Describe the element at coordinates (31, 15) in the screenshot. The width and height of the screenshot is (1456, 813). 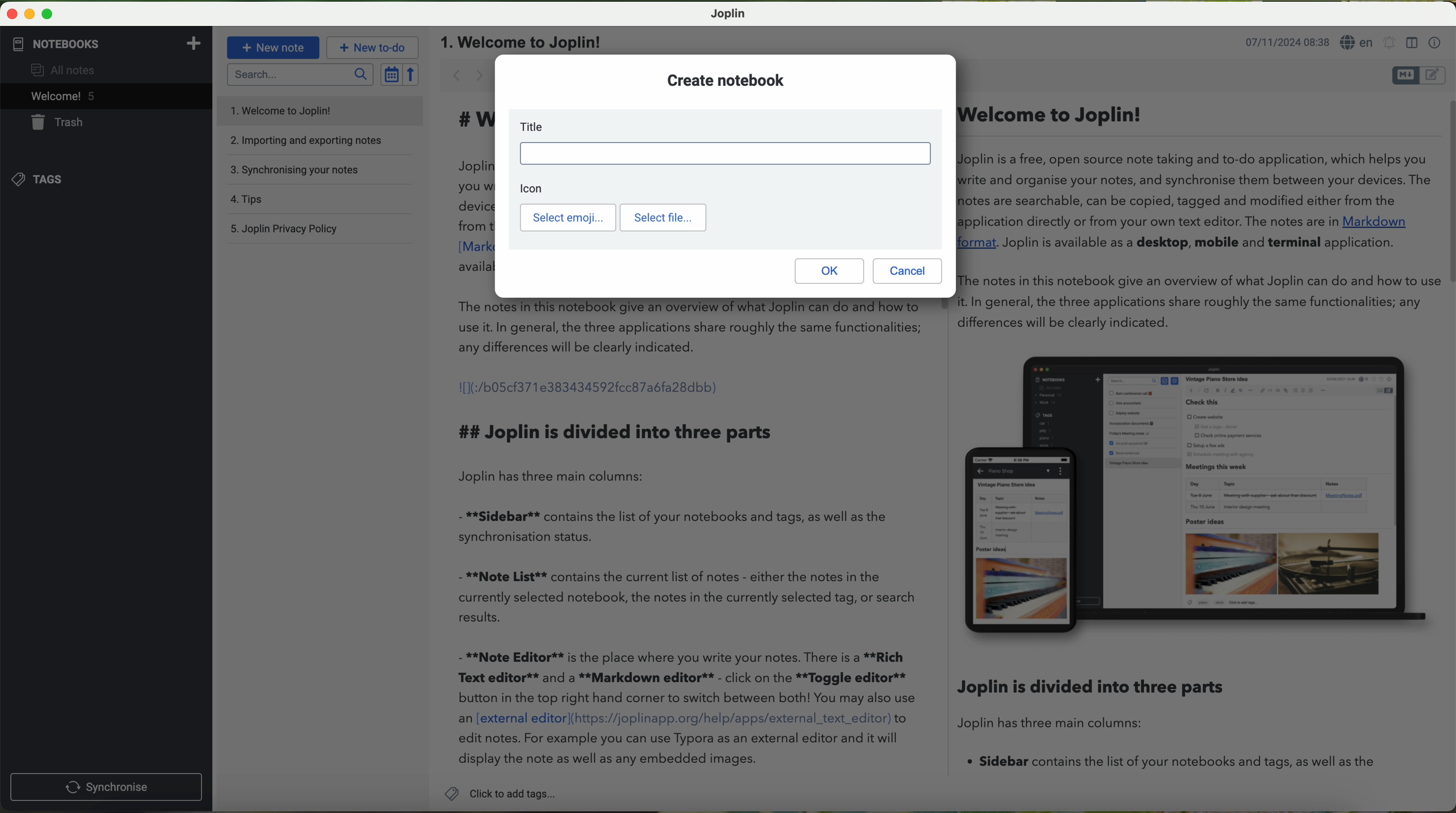
I see `minimize` at that location.